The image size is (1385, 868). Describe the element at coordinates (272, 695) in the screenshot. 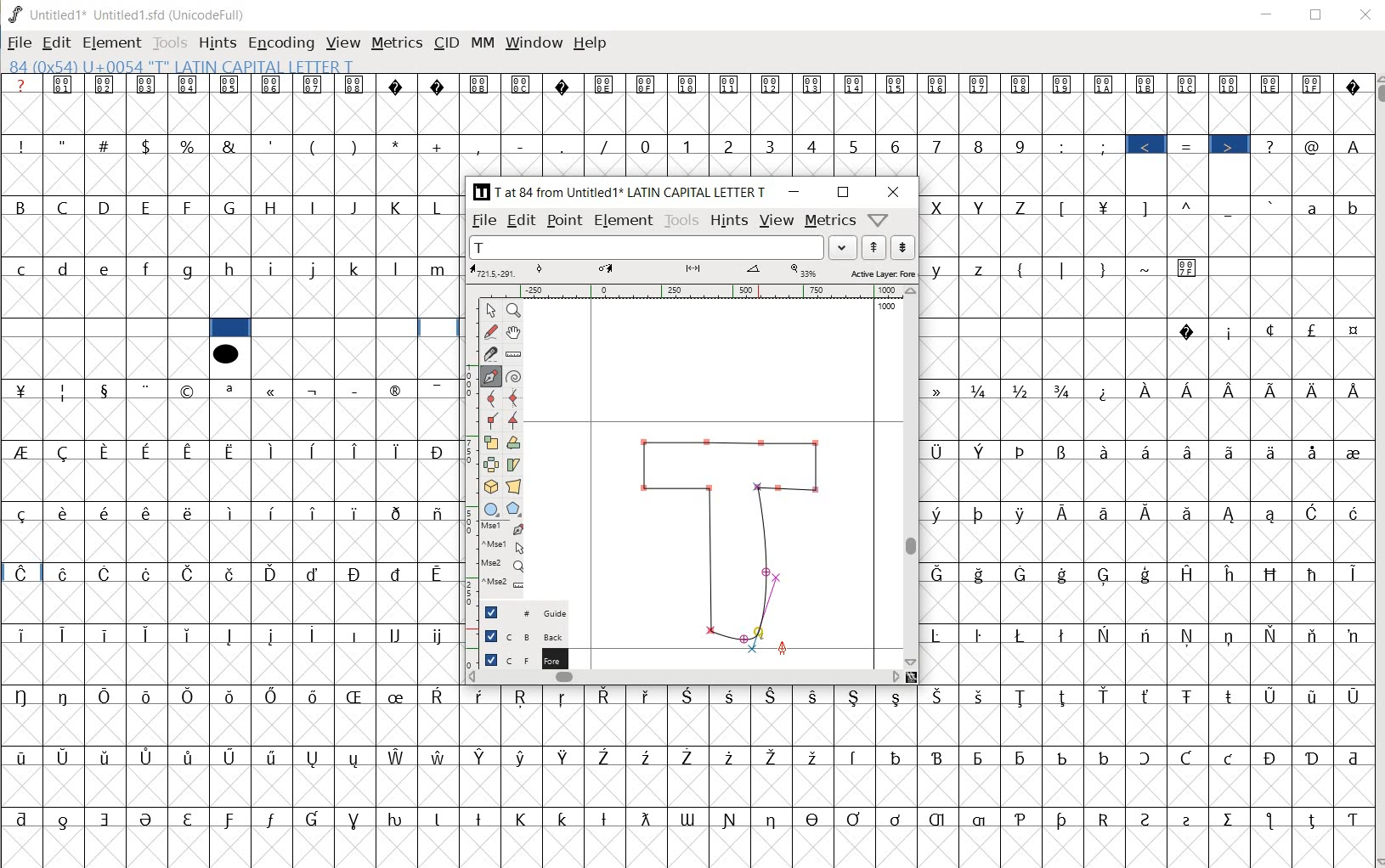

I see `Symbol` at that location.